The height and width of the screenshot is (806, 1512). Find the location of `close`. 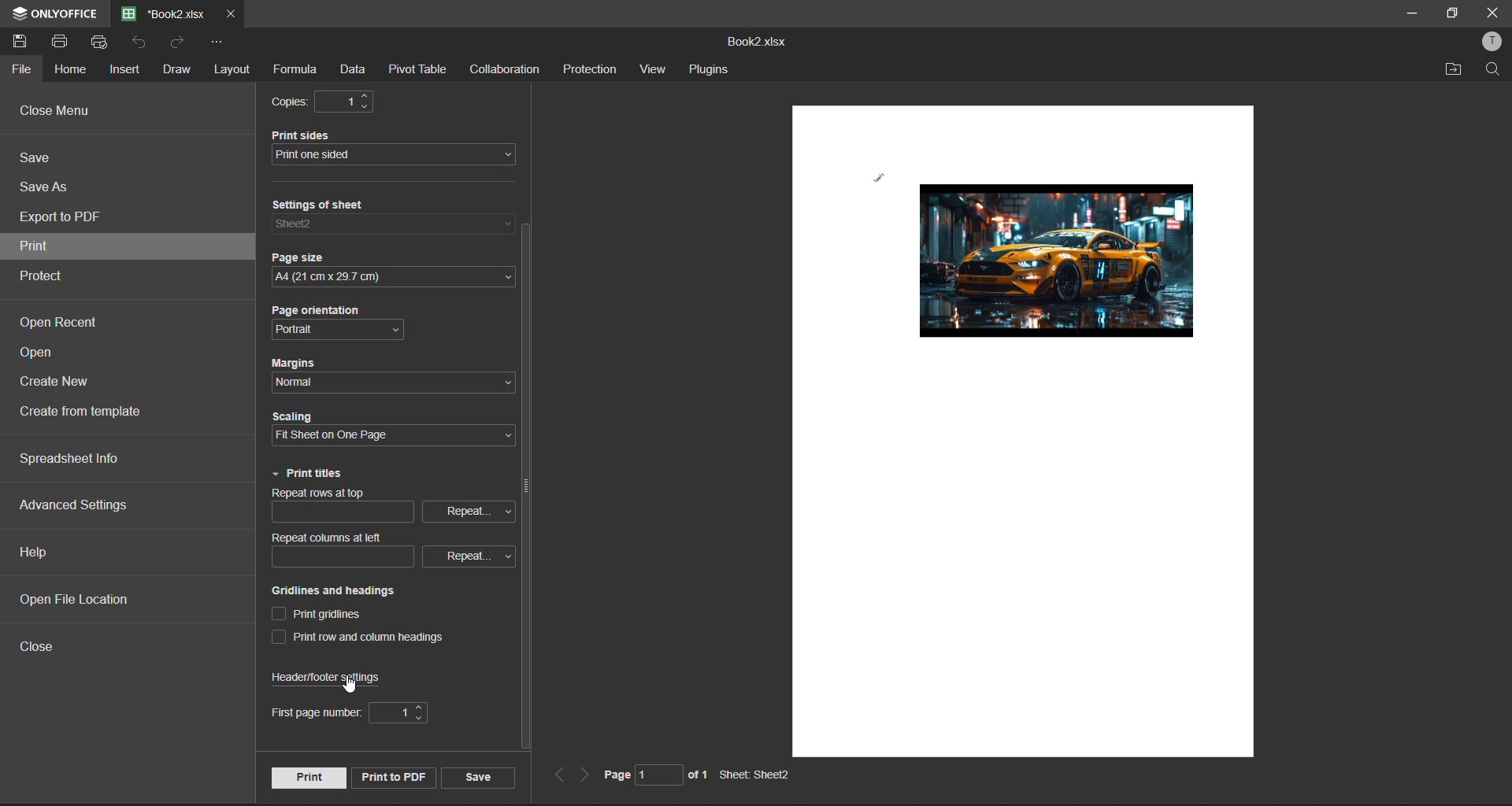

close is located at coordinates (1493, 12).